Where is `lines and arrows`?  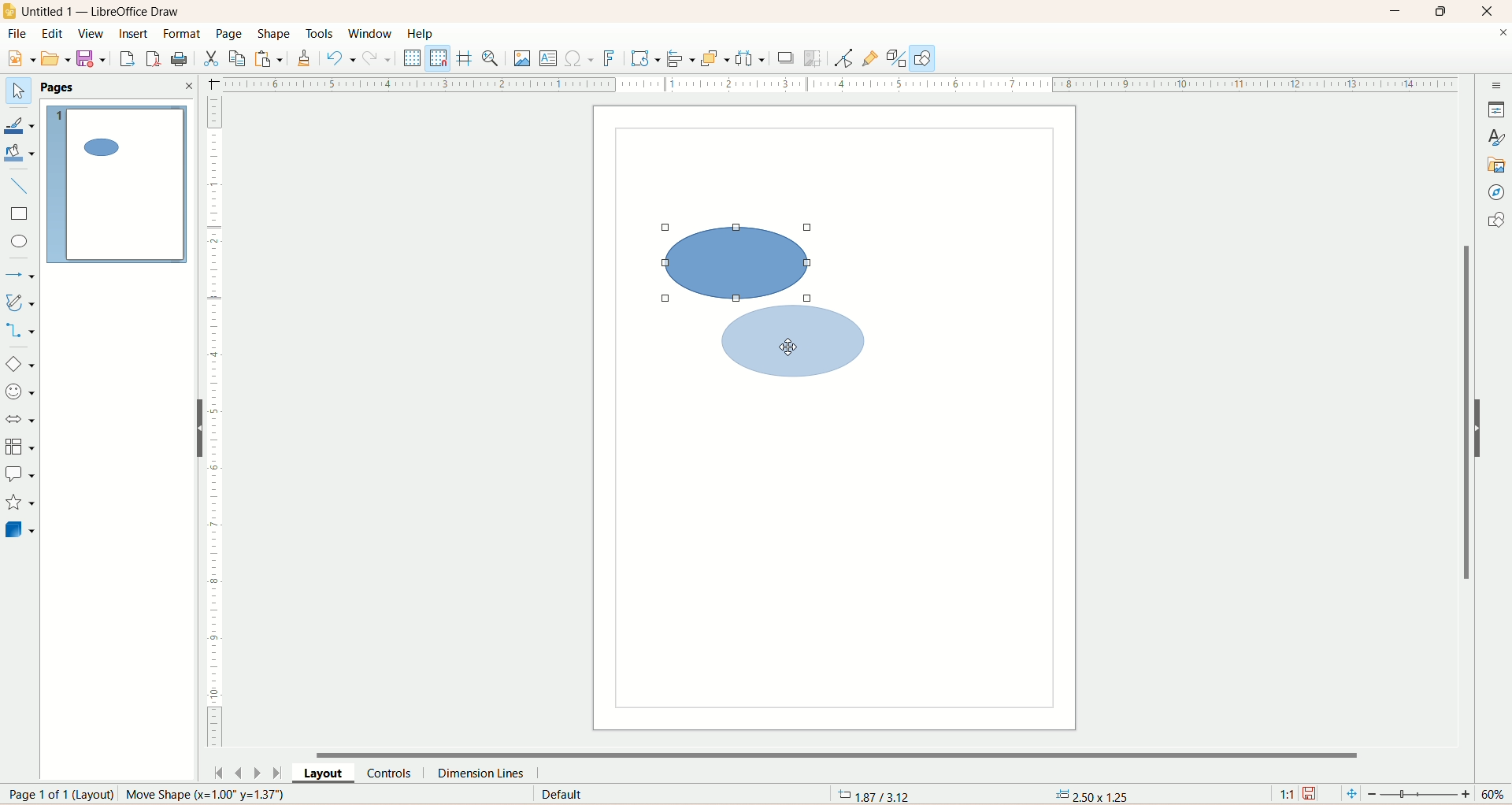 lines and arrows is located at coordinates (20, 275).